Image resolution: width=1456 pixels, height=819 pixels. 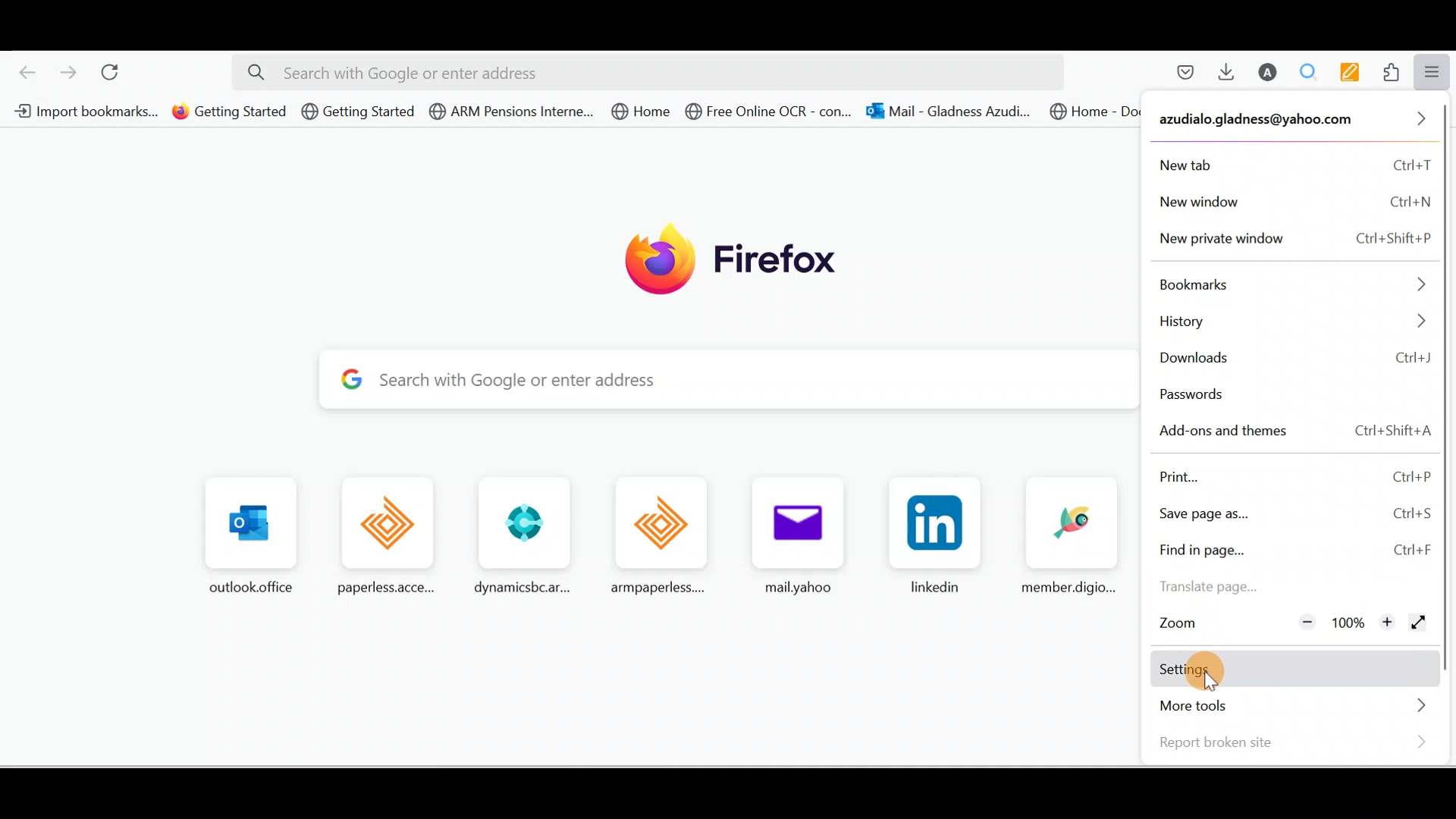 What do you see at coordinates (1421, 626) in the screenshot?
I see `Display window in full screen` at bounding box center [1421, 626].